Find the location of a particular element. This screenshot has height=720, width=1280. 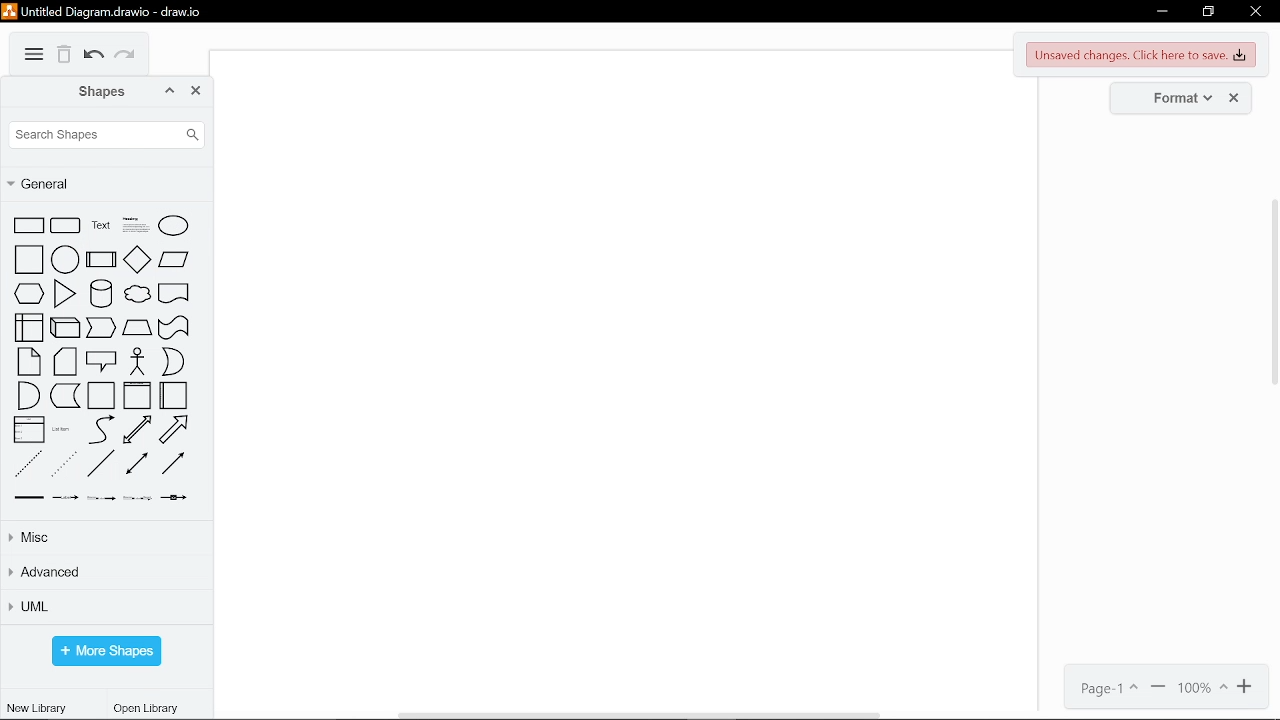

diamond is located at coordinates (136, 259).